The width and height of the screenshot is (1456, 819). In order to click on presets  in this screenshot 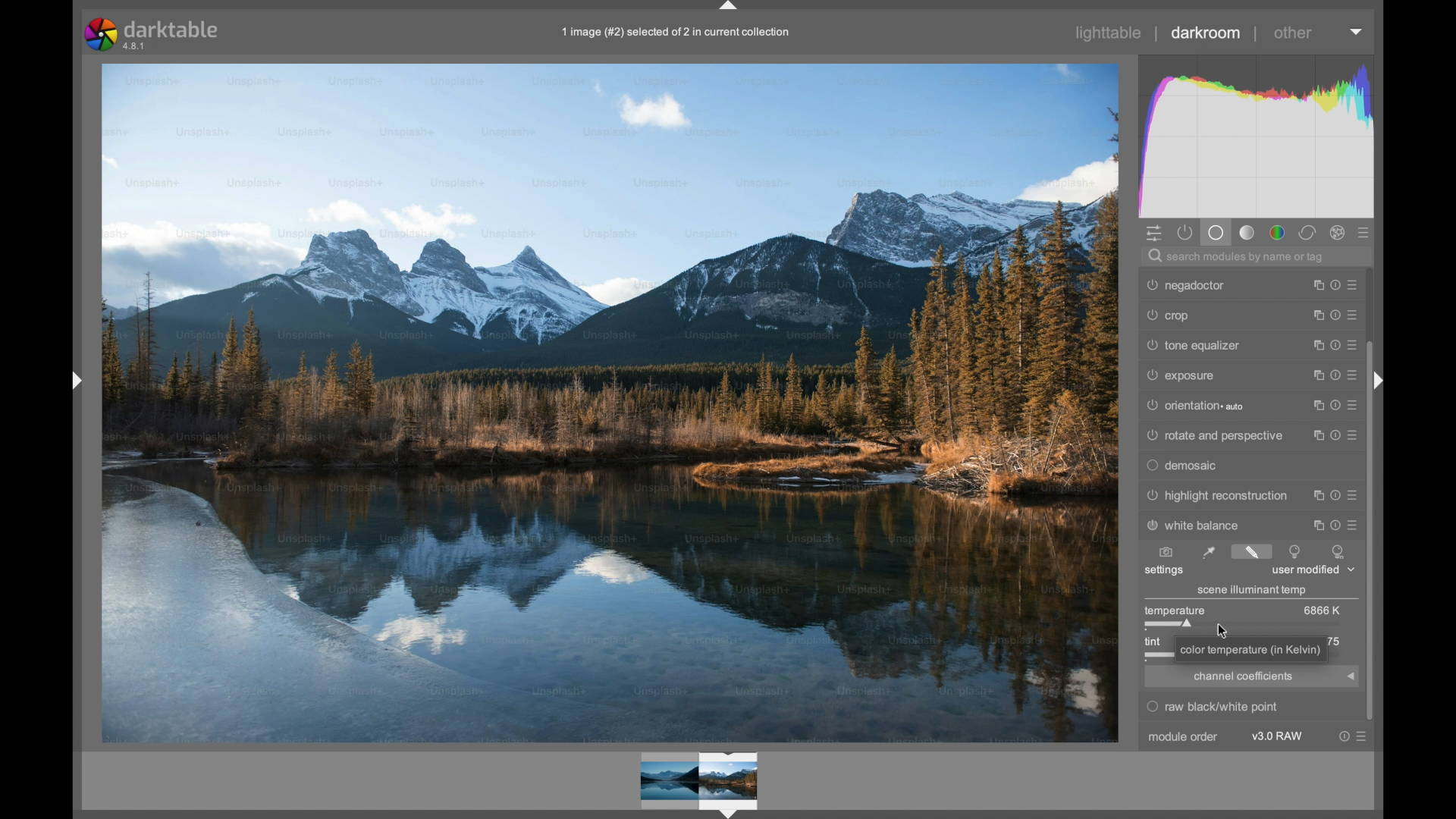, I will do `click(1353, 461)`.